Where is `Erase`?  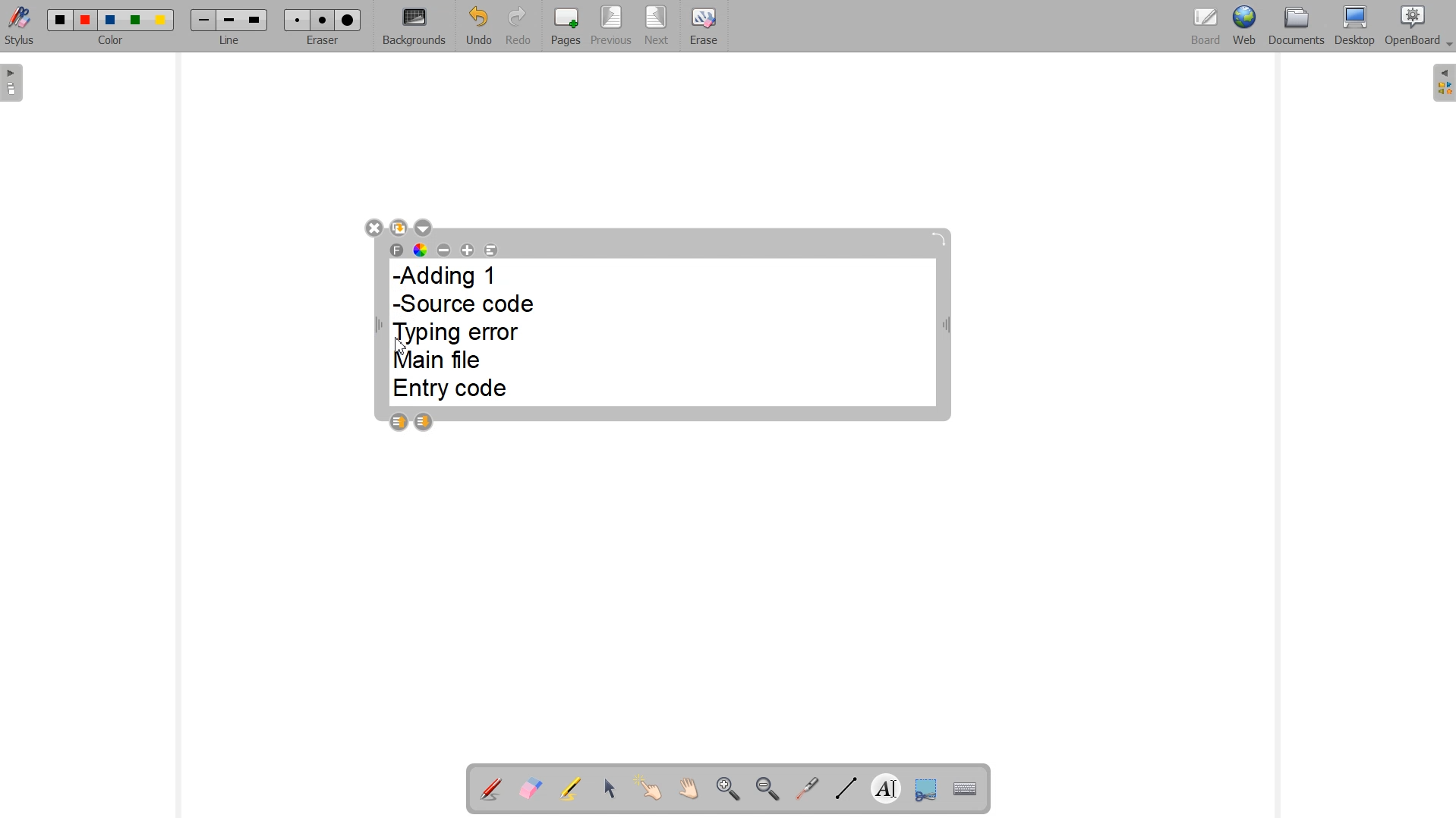 Erase is located at coordinates (704, 24).